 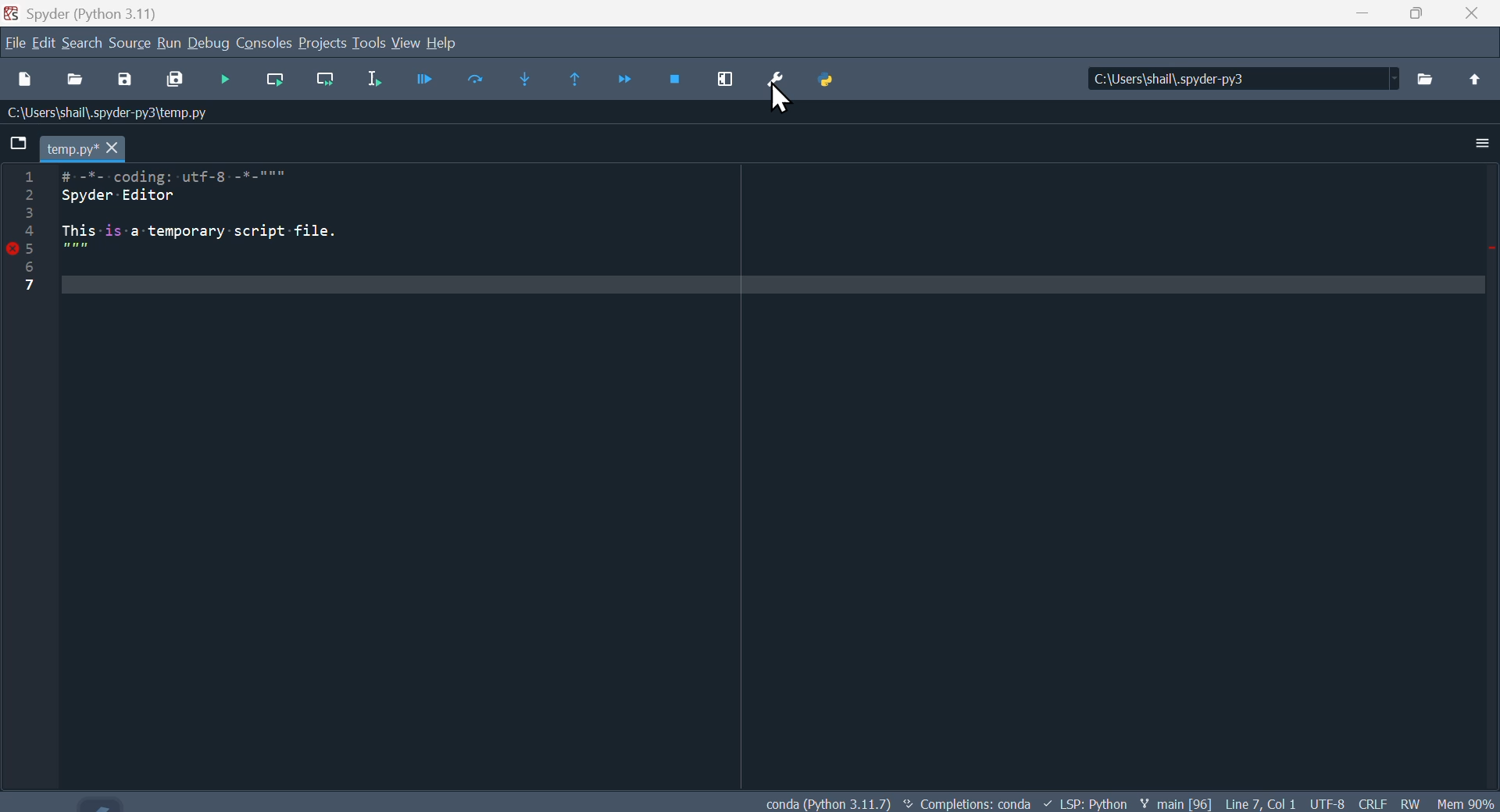 I want to click on Close, so click(x=1476, y=15).